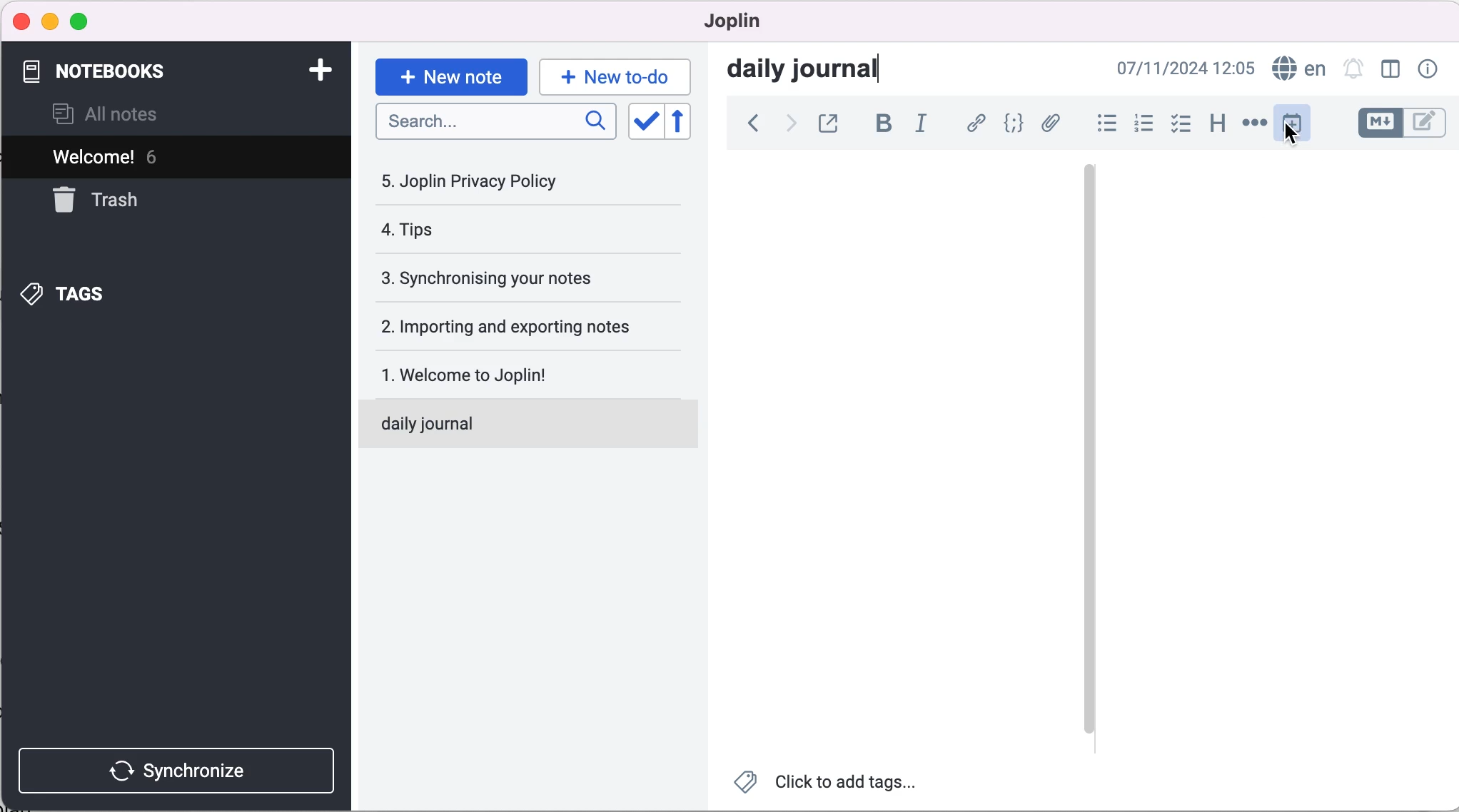 The height and width of the screenshot is (812, 1459). I want to click on all notes, so click(118, 116).